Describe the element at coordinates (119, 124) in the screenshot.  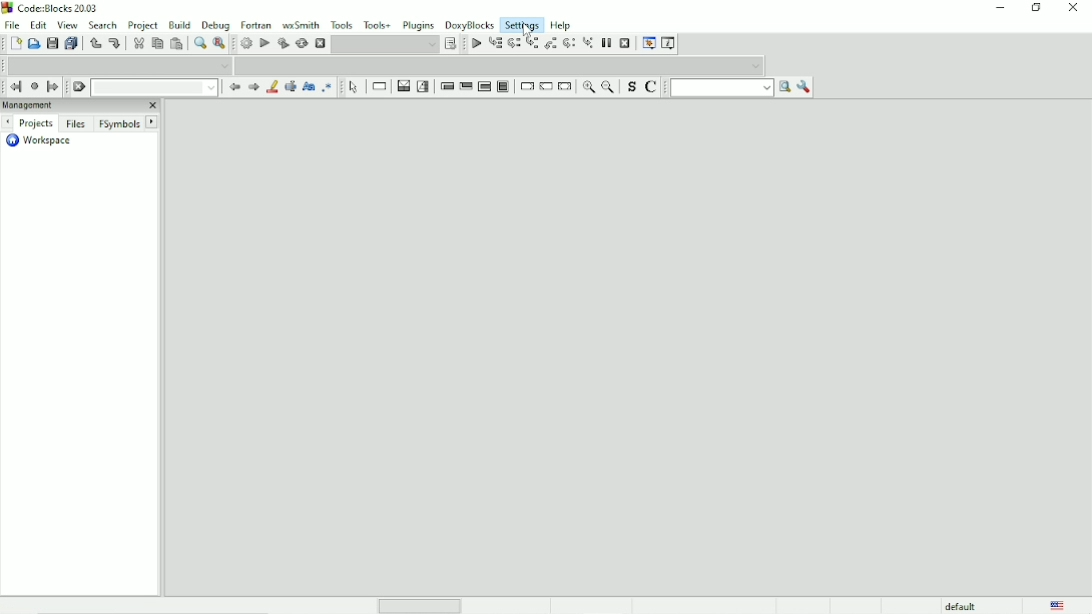
I see `FSymbols` at that location.